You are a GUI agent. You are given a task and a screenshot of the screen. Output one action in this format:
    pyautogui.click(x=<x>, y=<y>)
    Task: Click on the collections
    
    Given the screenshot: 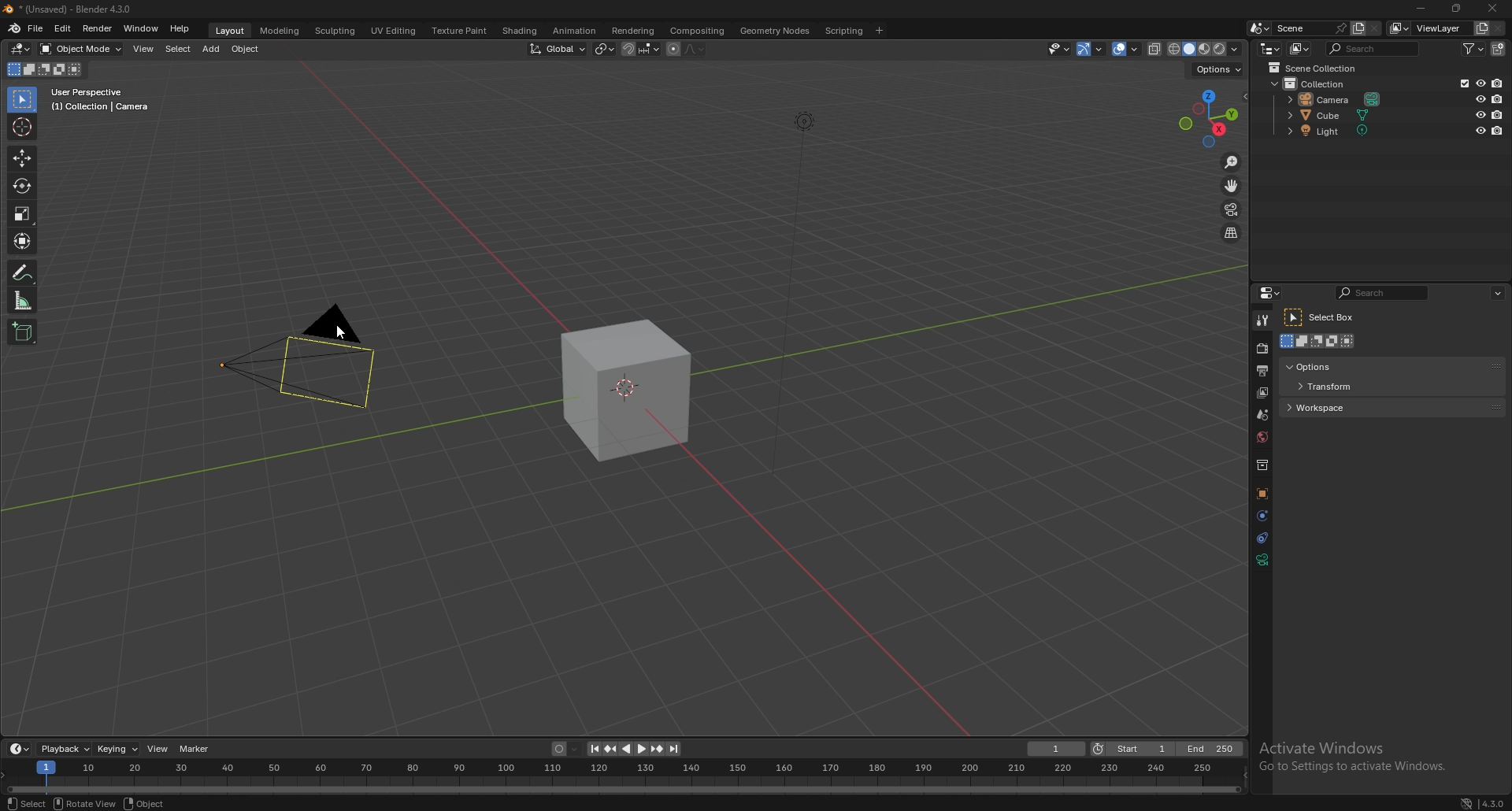 What is the action you would take?
    pyautogui.click(x=1262, y=466)
    